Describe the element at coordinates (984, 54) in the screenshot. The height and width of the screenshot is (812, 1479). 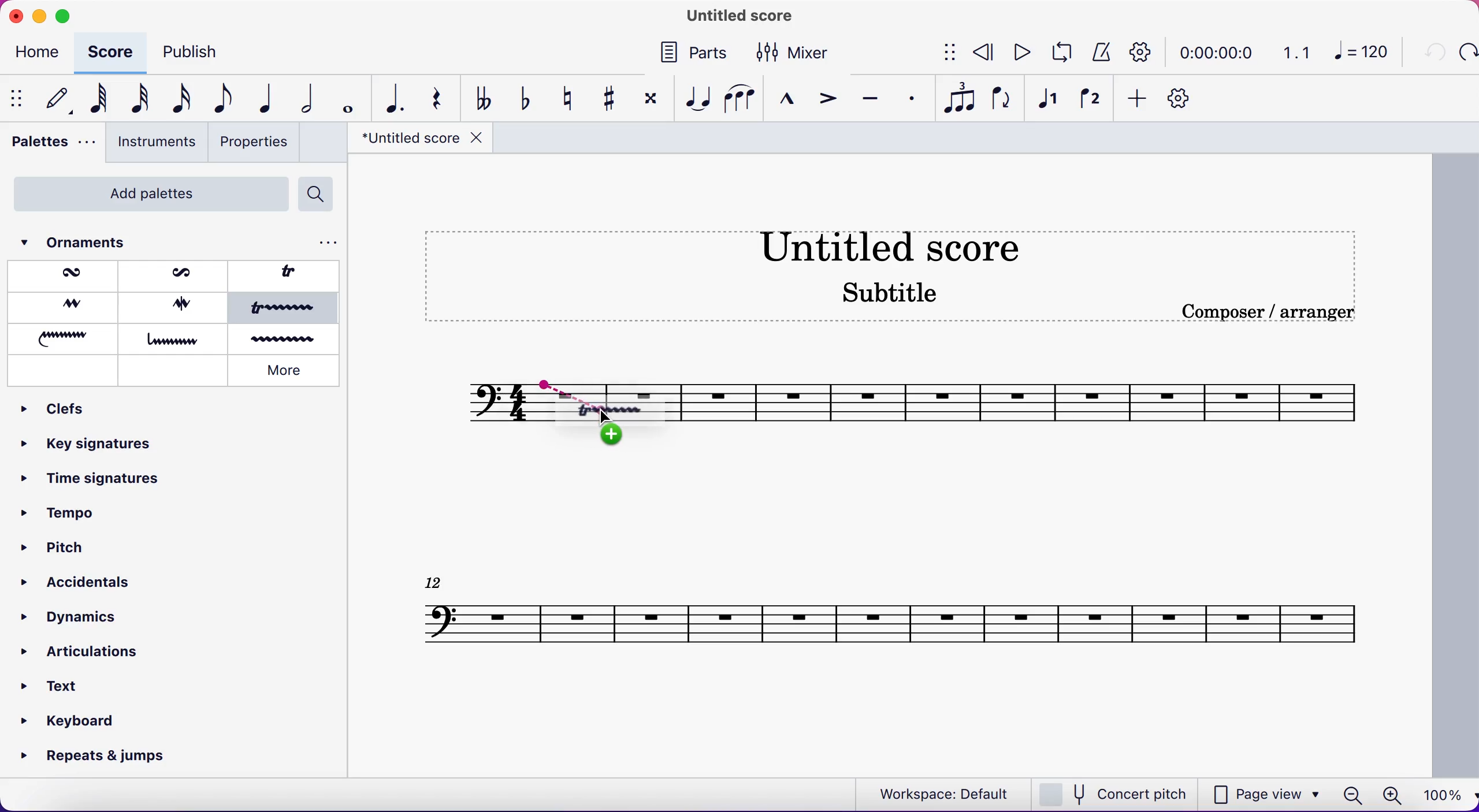
I see `rewind` at that location.